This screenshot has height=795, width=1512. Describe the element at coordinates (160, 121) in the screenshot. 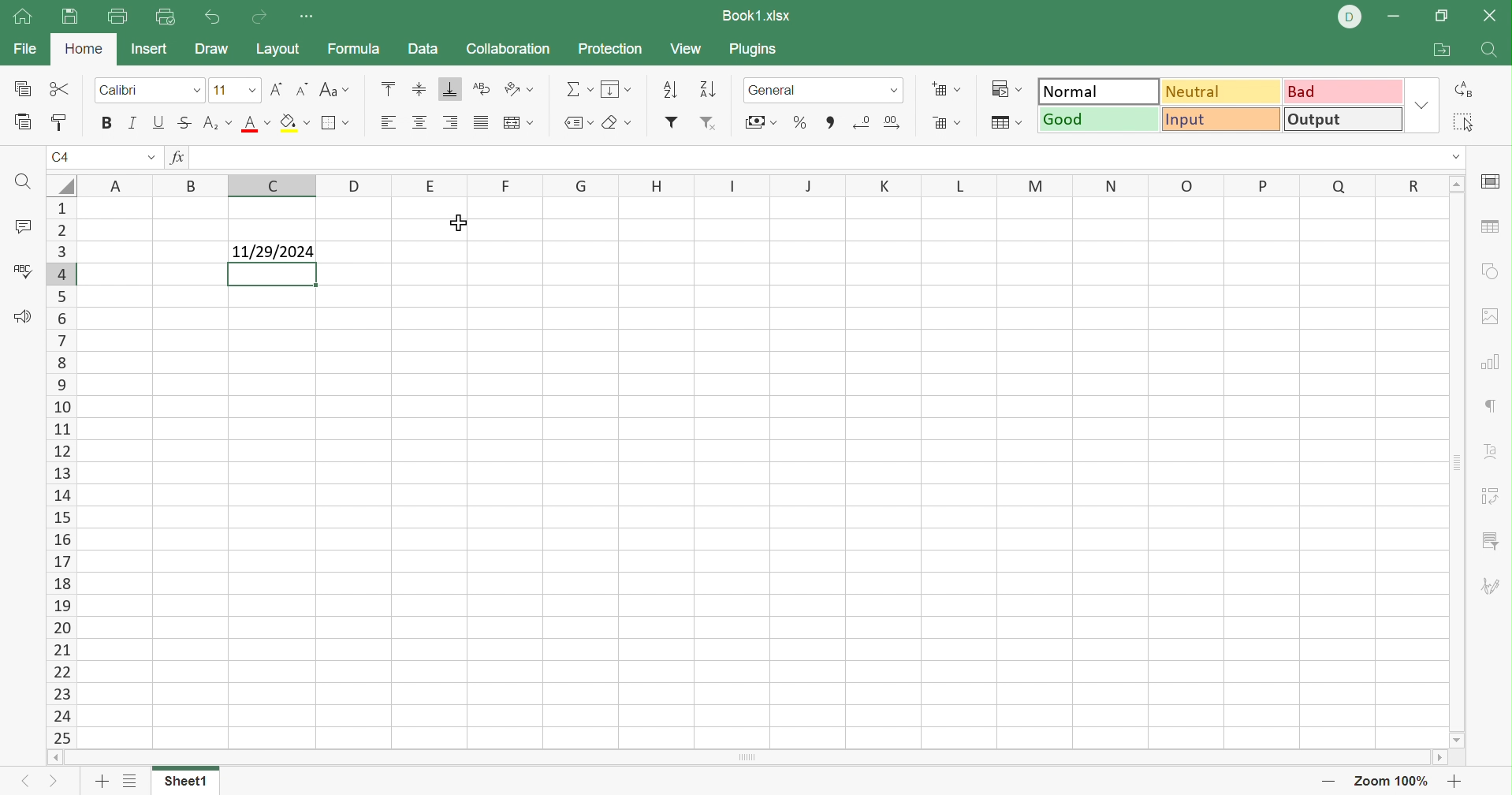

I see `Underline` at that location.